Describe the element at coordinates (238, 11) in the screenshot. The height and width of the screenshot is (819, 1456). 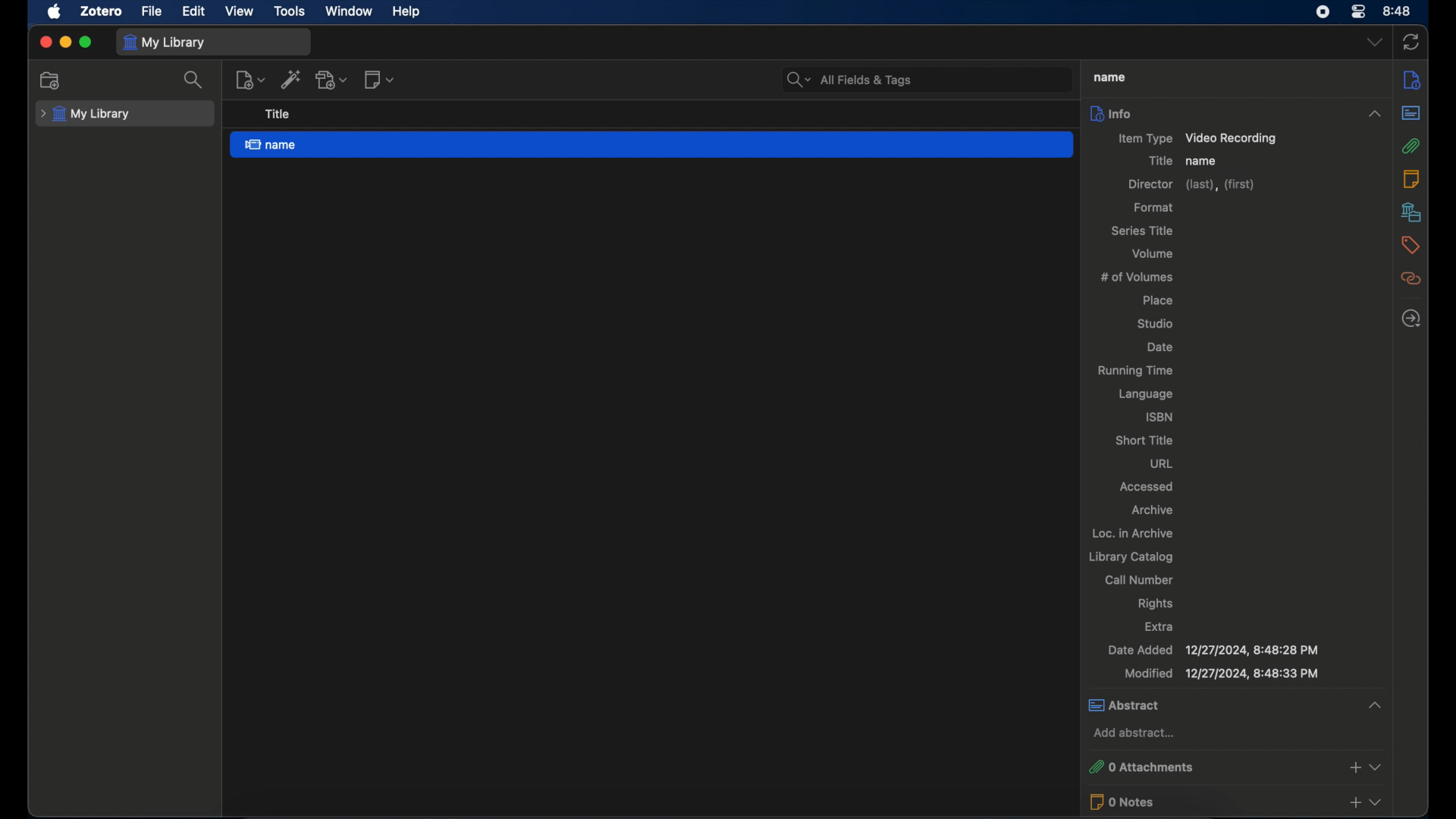
I see `view` at that location.